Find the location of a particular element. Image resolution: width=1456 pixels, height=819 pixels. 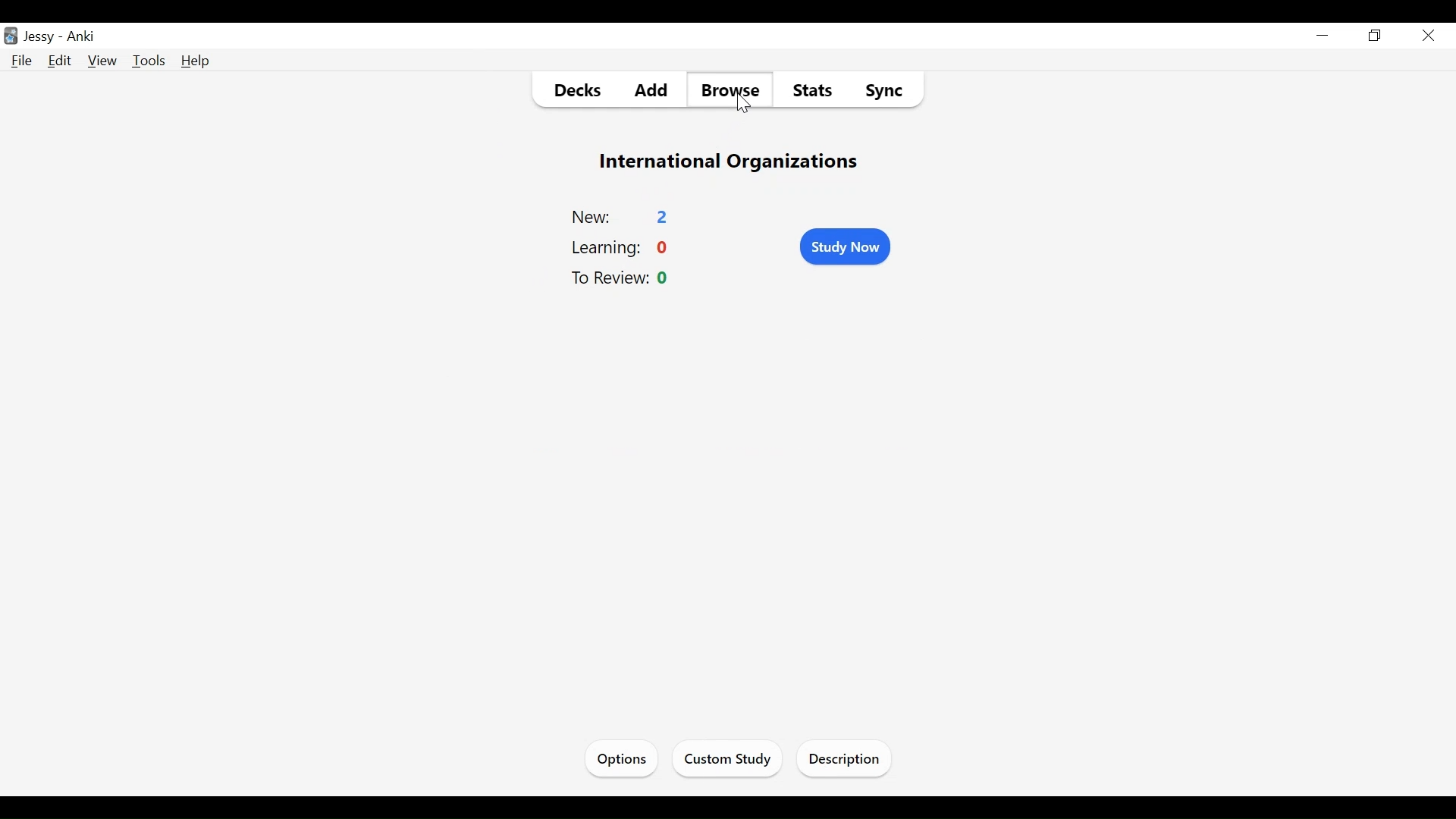

Import Files is located at coordinates (848, 761).